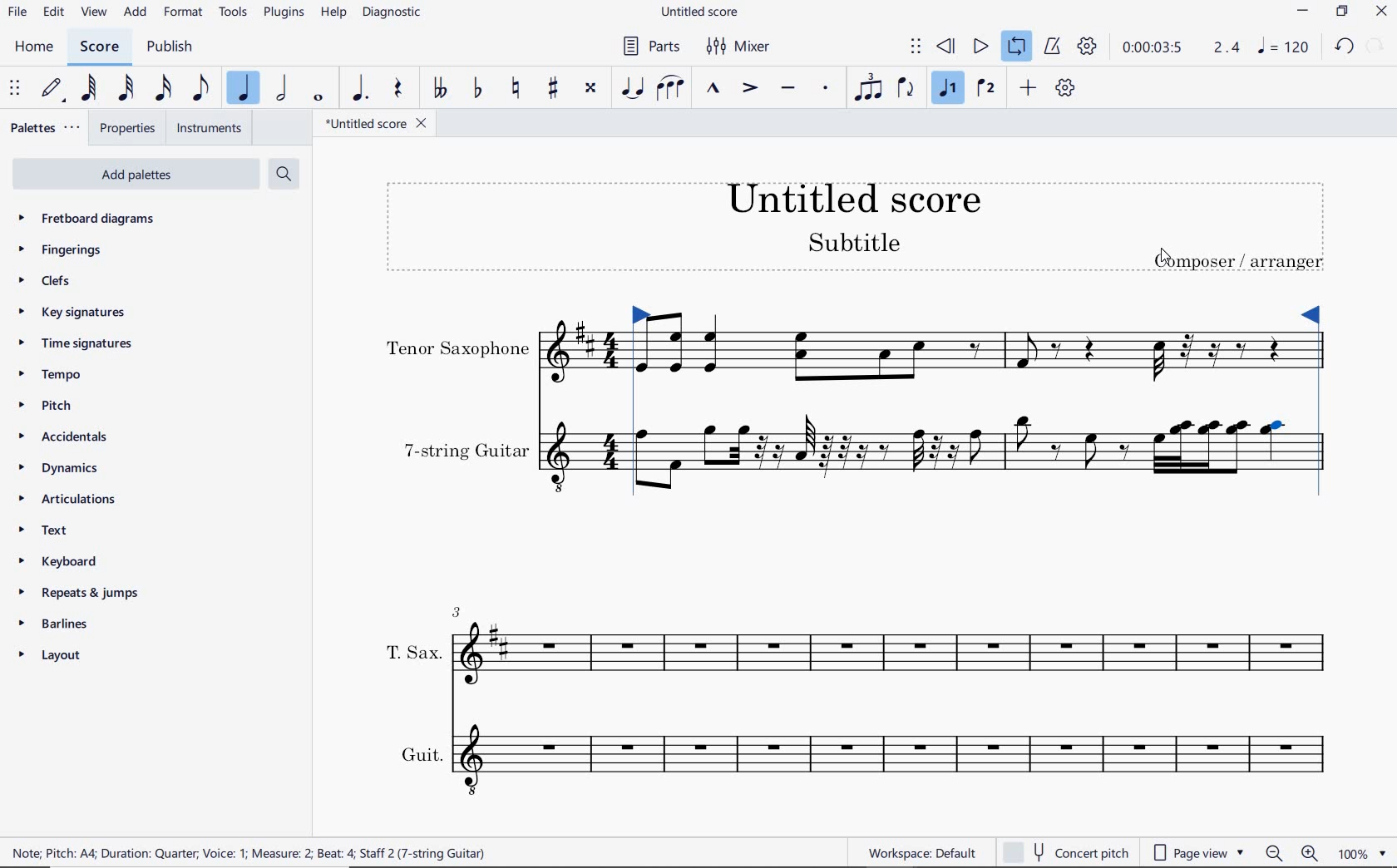  Describe the element at coordinates (97, 47) in the screenshot. I see `SCORE` at that location.